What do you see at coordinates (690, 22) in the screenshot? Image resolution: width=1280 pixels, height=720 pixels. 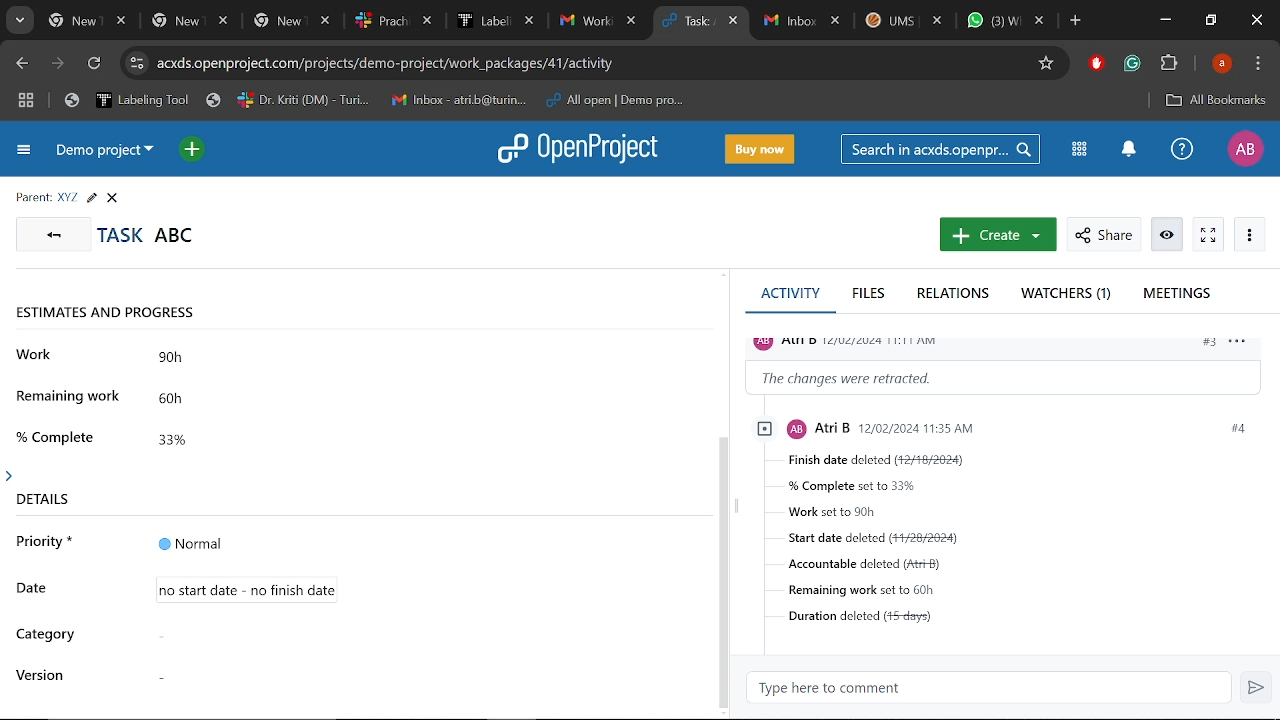 I see `Current tab` at bounding box center [690, 22].